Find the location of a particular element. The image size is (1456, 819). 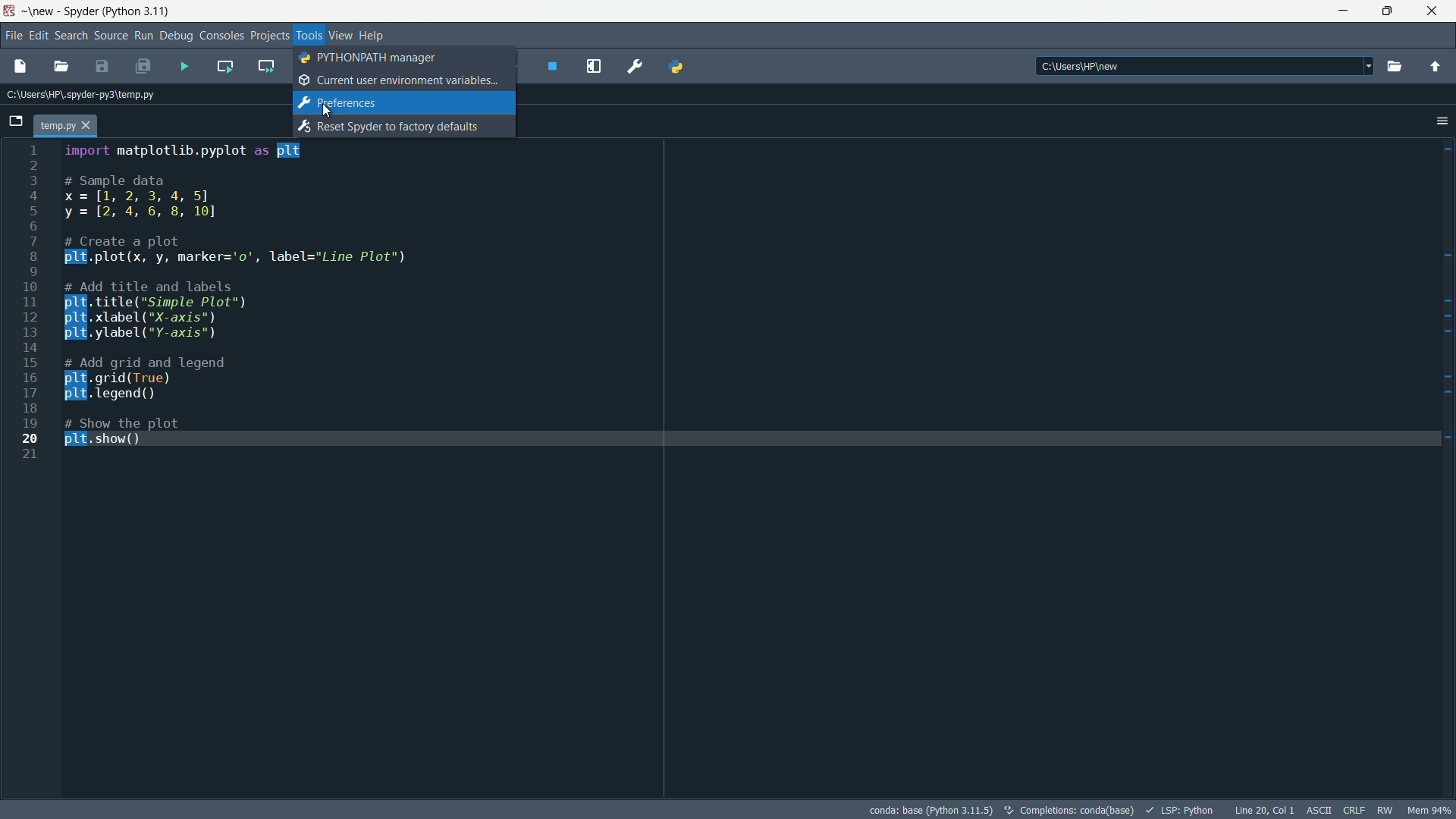

consoles is located at coordinates (221, 35).